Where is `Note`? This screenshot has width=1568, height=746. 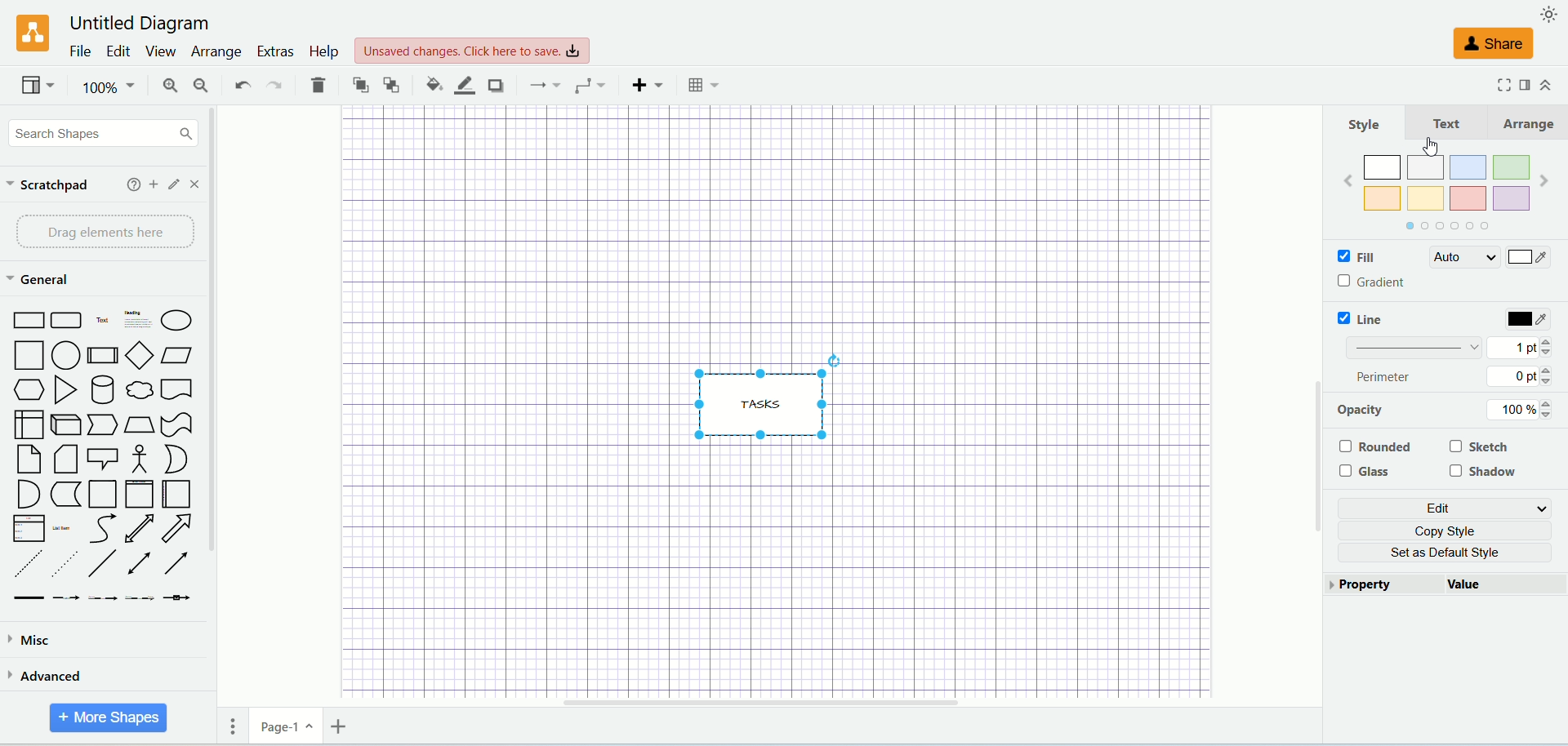 Note is located at coordinates (28, 460).